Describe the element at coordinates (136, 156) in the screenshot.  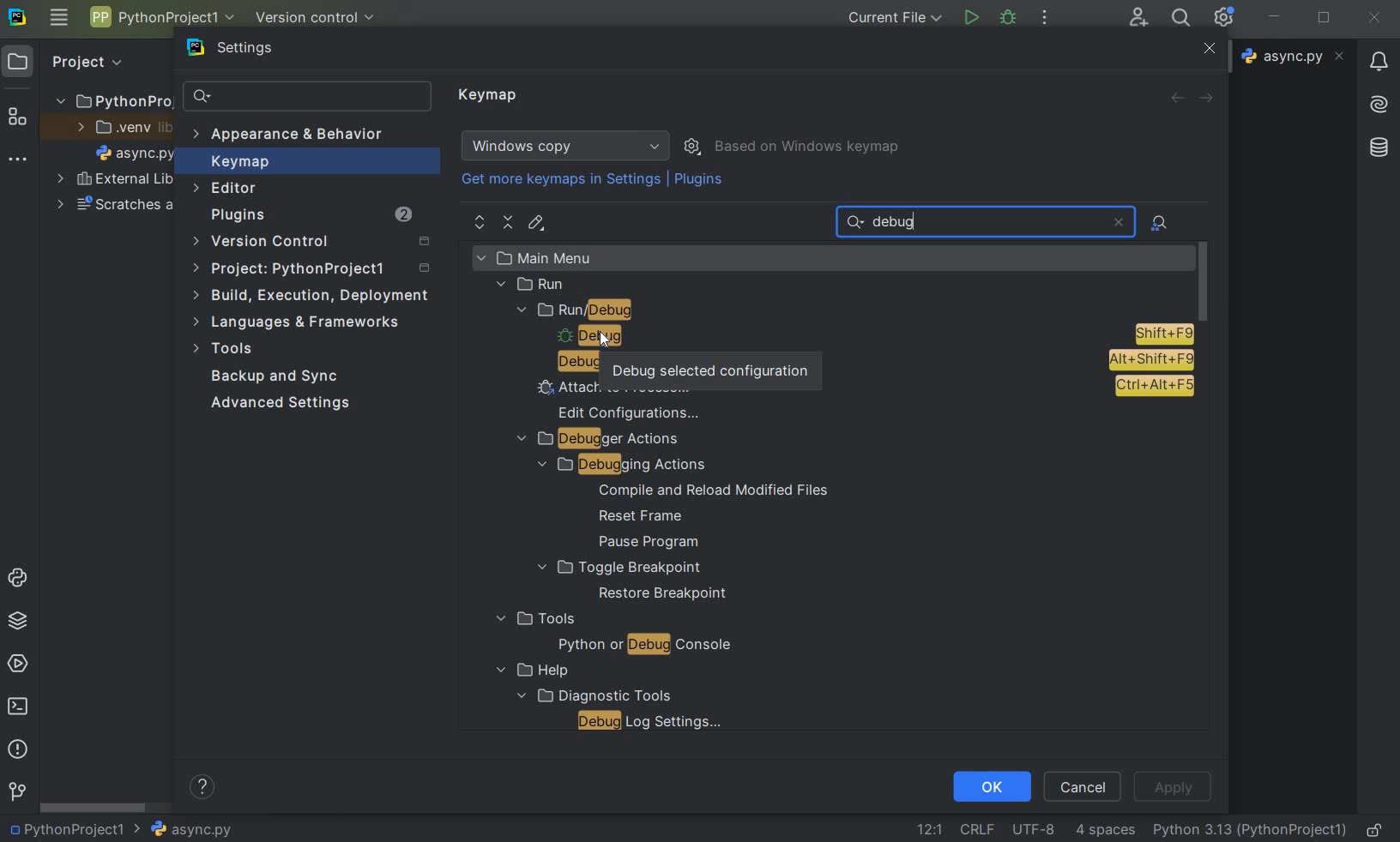
I see `file name` at that location.